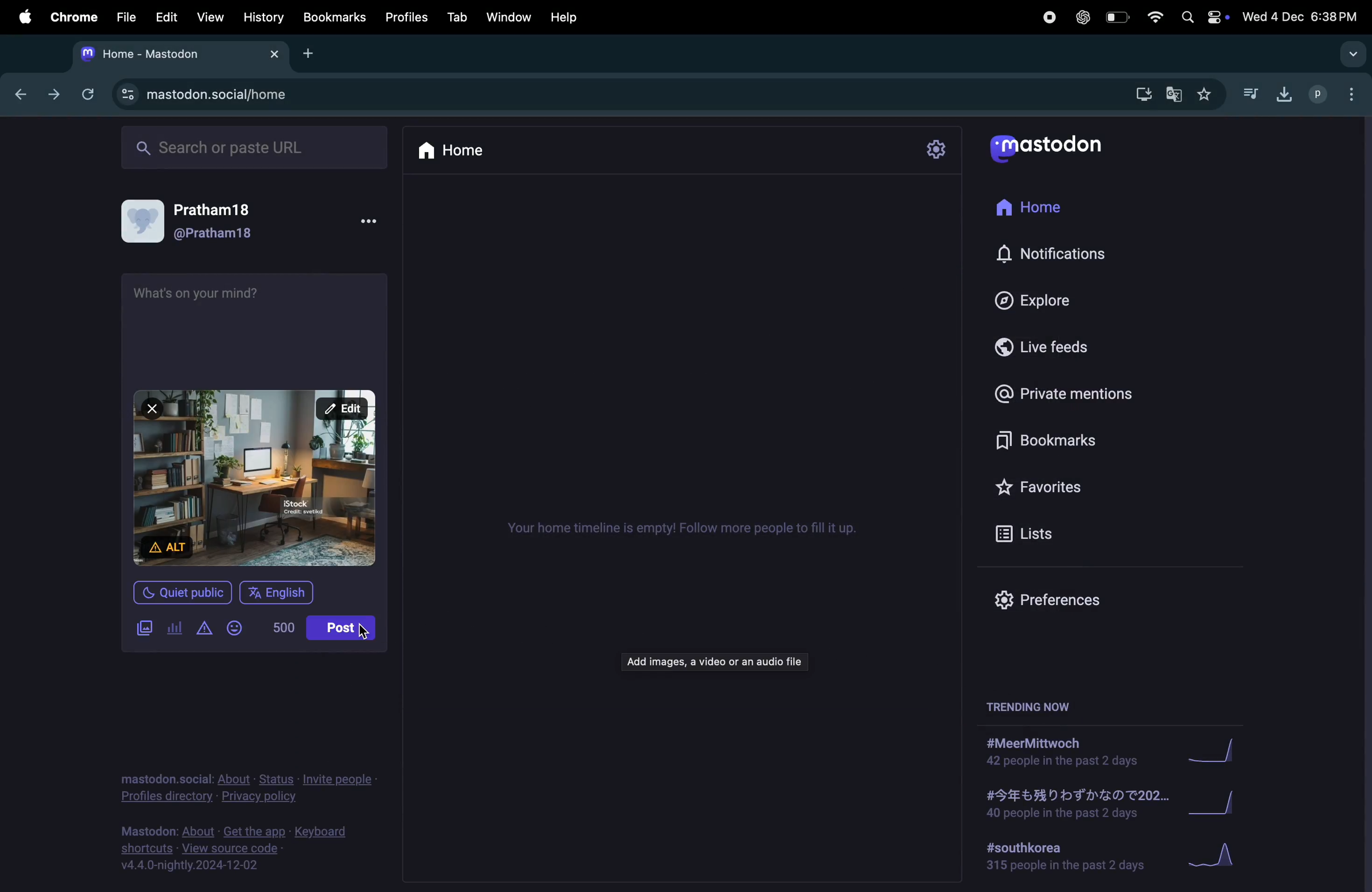 The width and height of the screenshot is (1372, 892). What do you see at coordinates (1081, 17) in the screenshot?
I see `chatgpt` at bounding box center [1081, 17].